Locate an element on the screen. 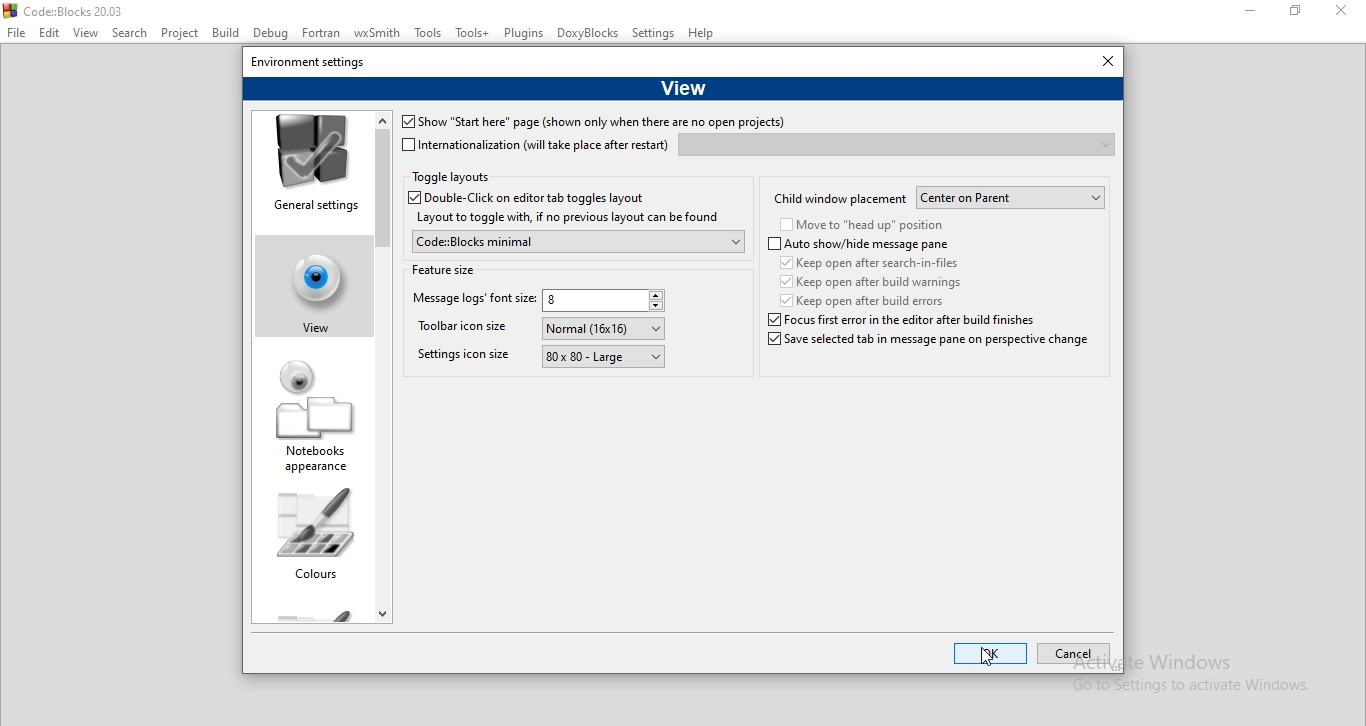 Image resolution: width=1366 pixels, height=726 pixels. DoxyBlocks is located at coordinates (589, 34).